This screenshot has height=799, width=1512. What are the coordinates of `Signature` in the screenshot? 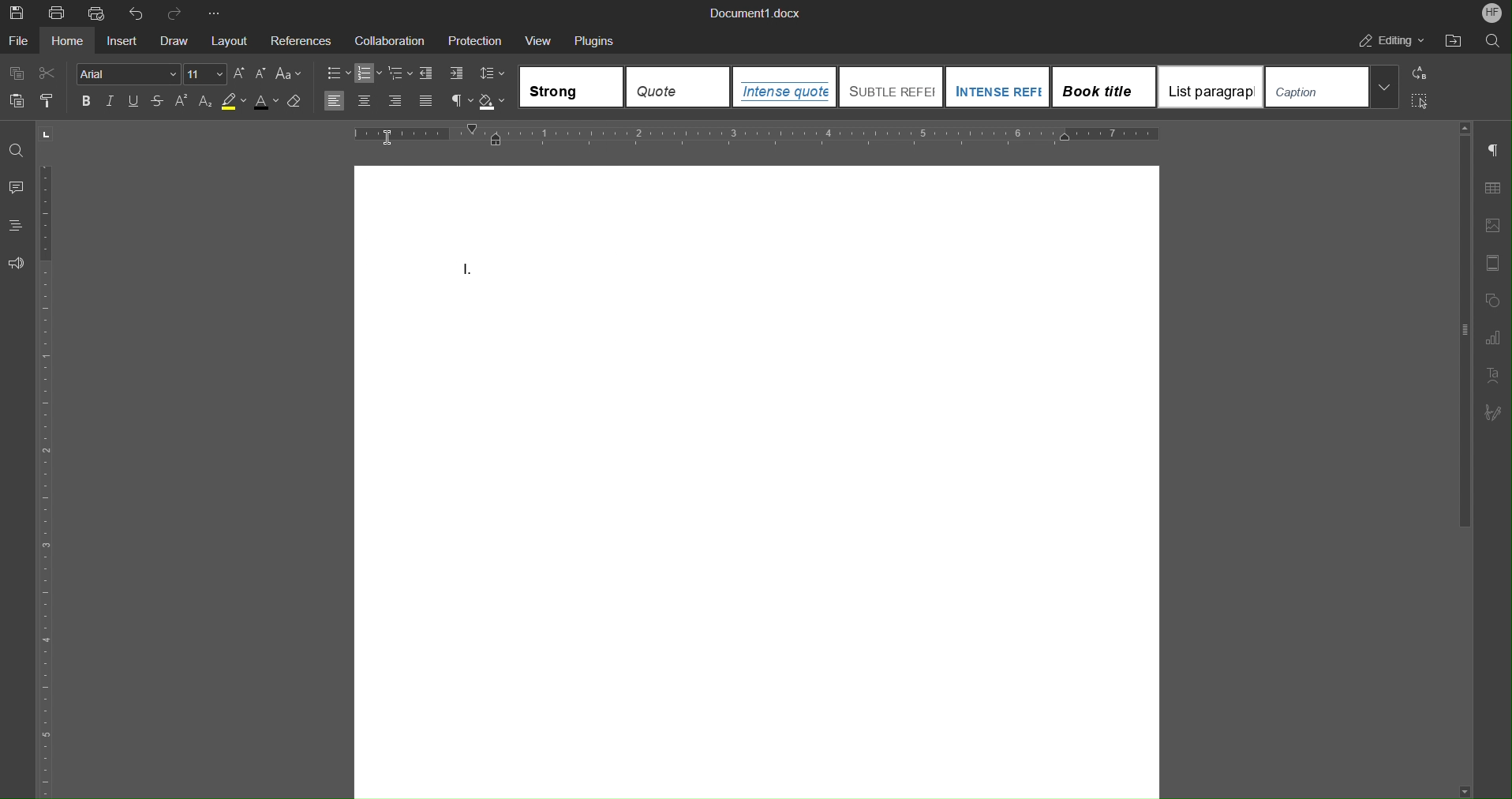 It's located at (1492, 413).